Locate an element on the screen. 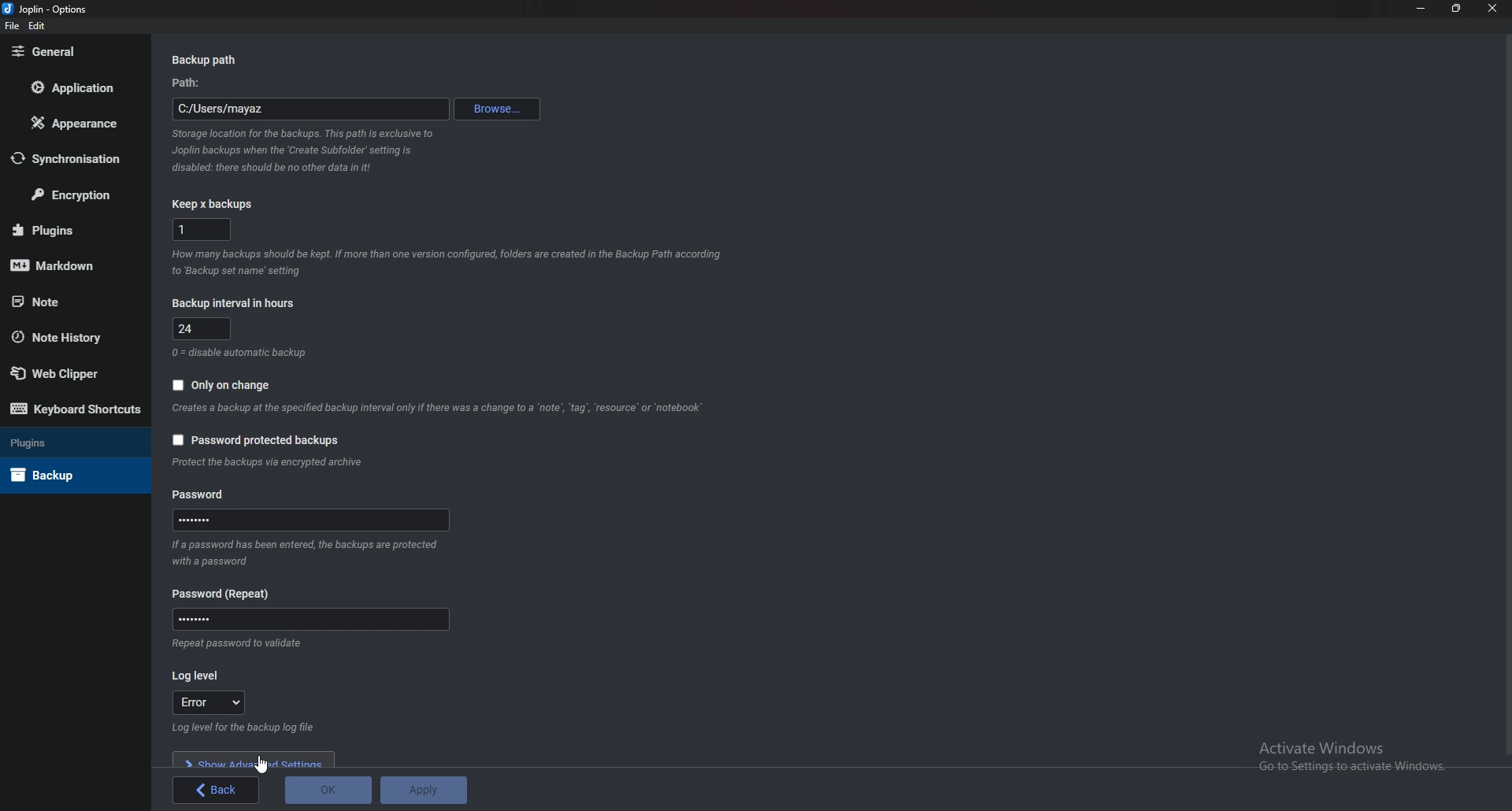 The height and width of the screenshot is (811, 1512). info is located at coordinates (239, 353).